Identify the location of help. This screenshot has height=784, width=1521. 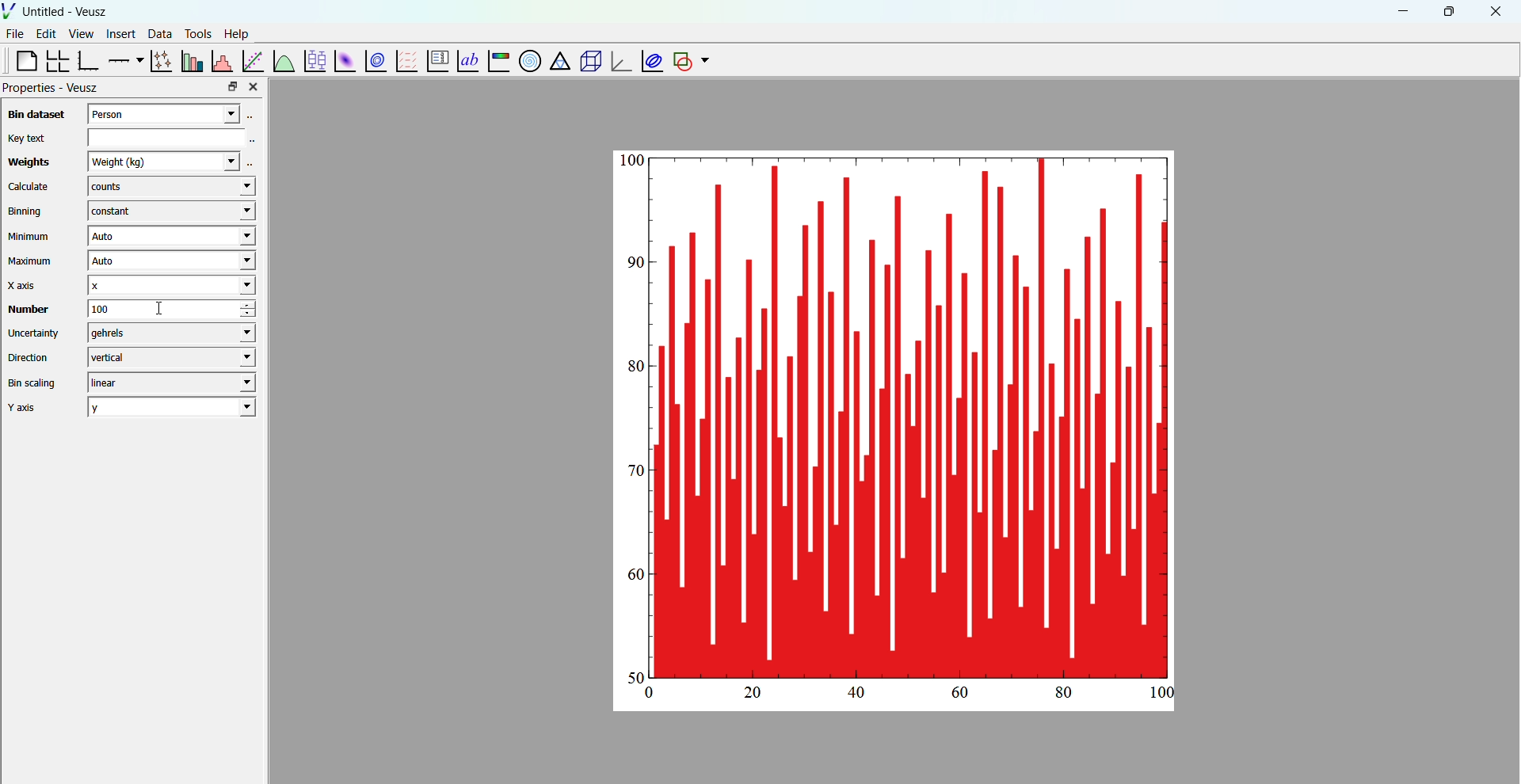
(237, 32).